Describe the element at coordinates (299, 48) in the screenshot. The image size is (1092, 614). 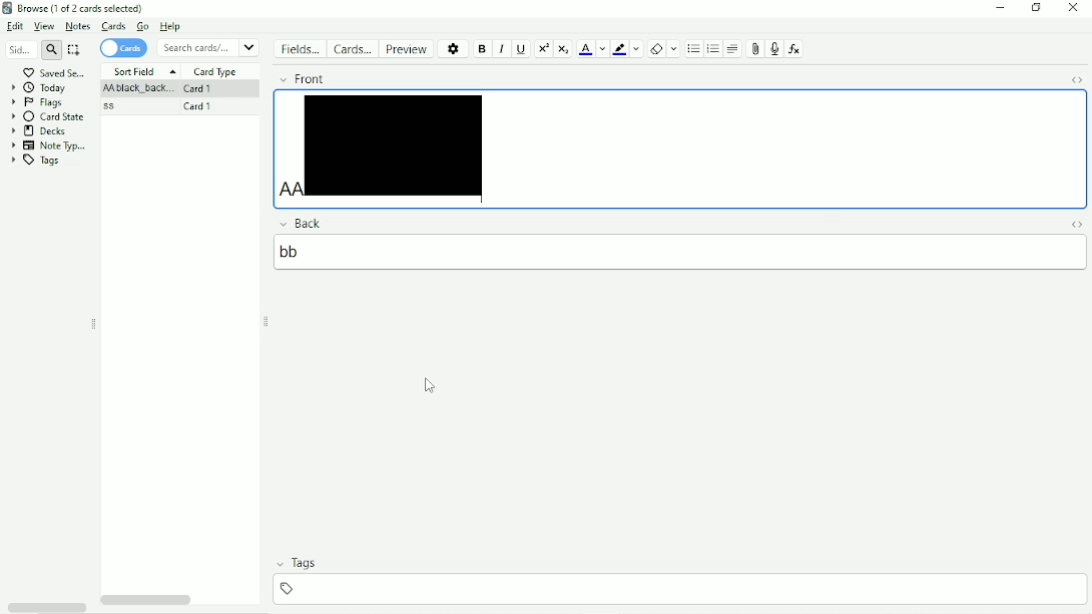
I see `Fields` at that location.